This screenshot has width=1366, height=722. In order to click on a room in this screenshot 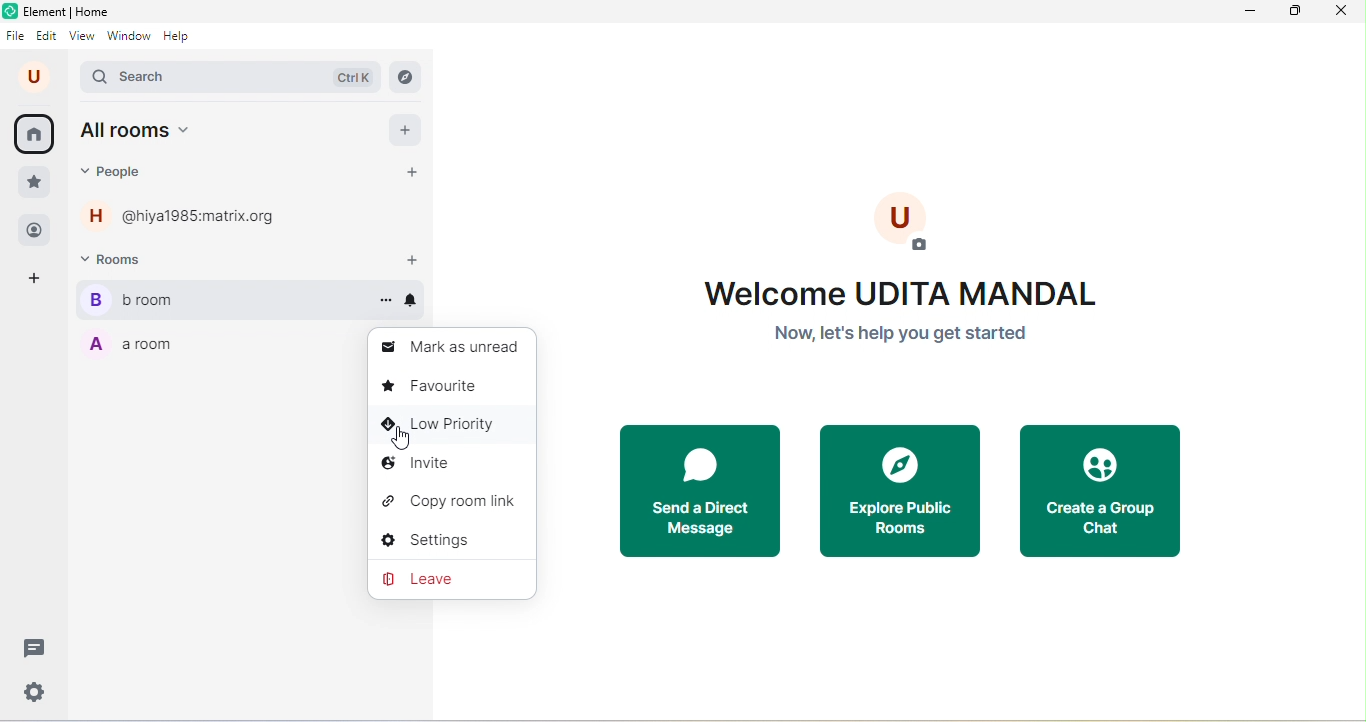, I will do `click(131, 341)`.